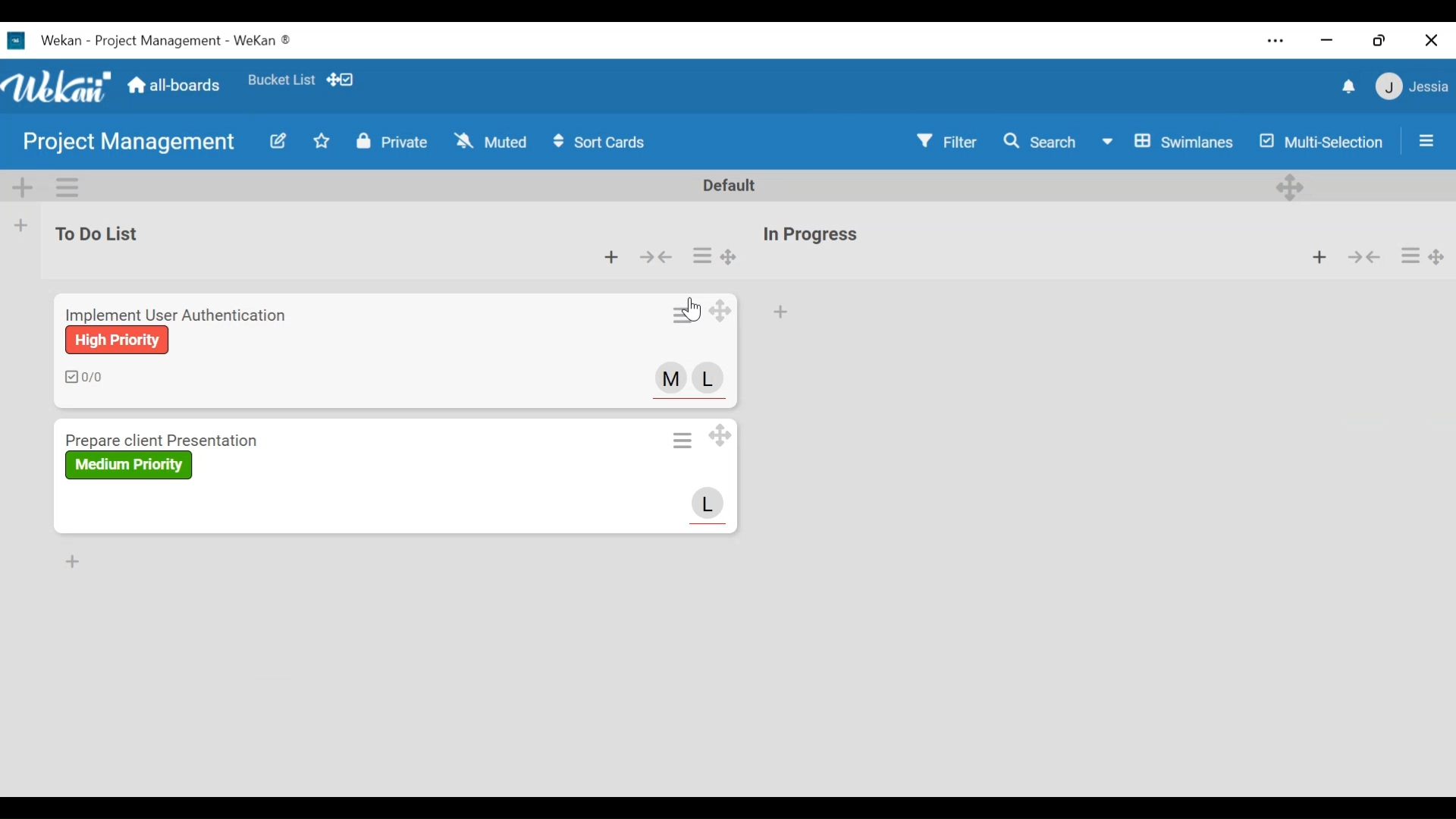 This screenshot has width=1456, height=819. I want to click on card actions, so click(684, 313).